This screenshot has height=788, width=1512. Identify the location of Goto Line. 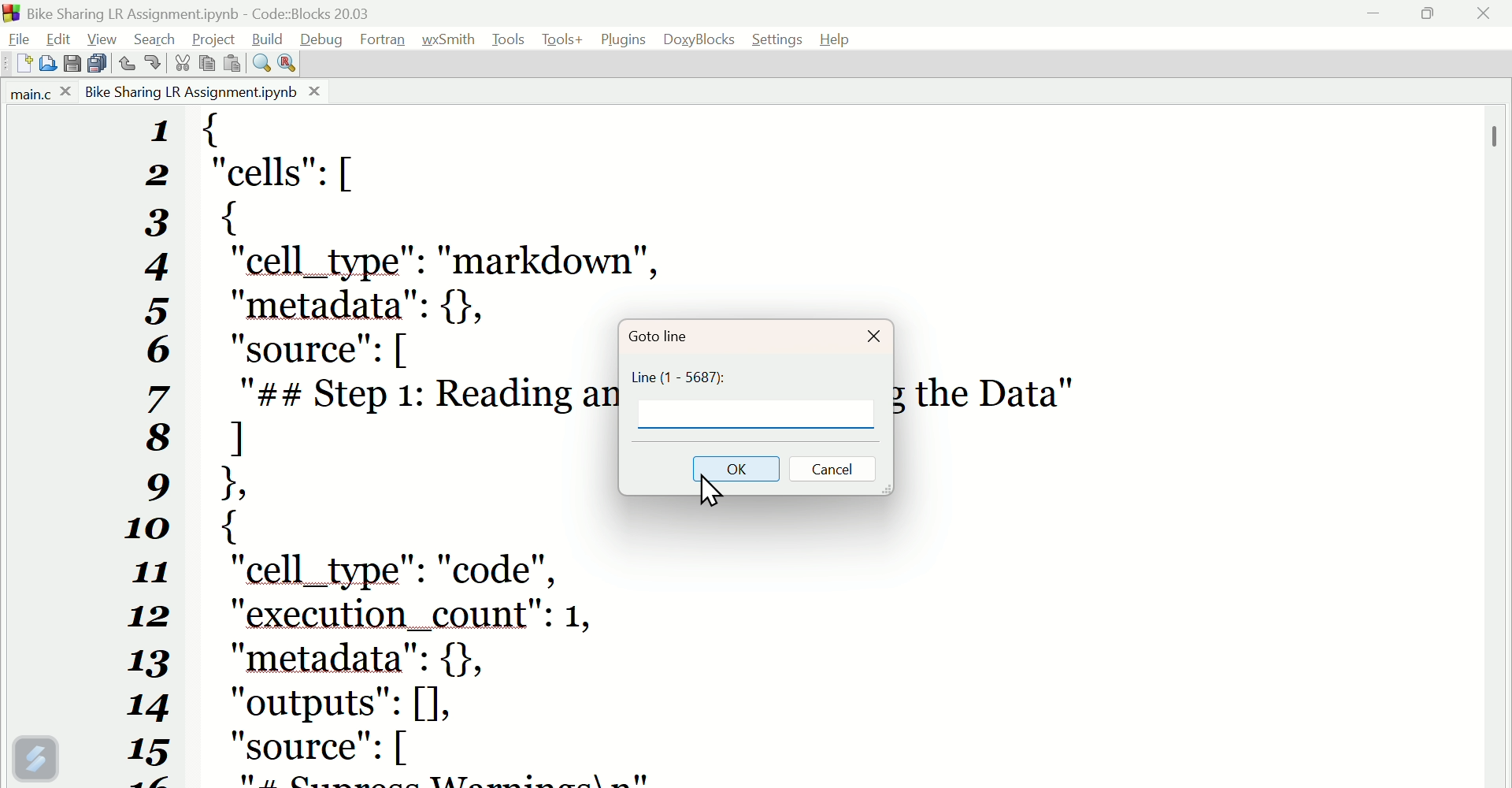
(654, 333).